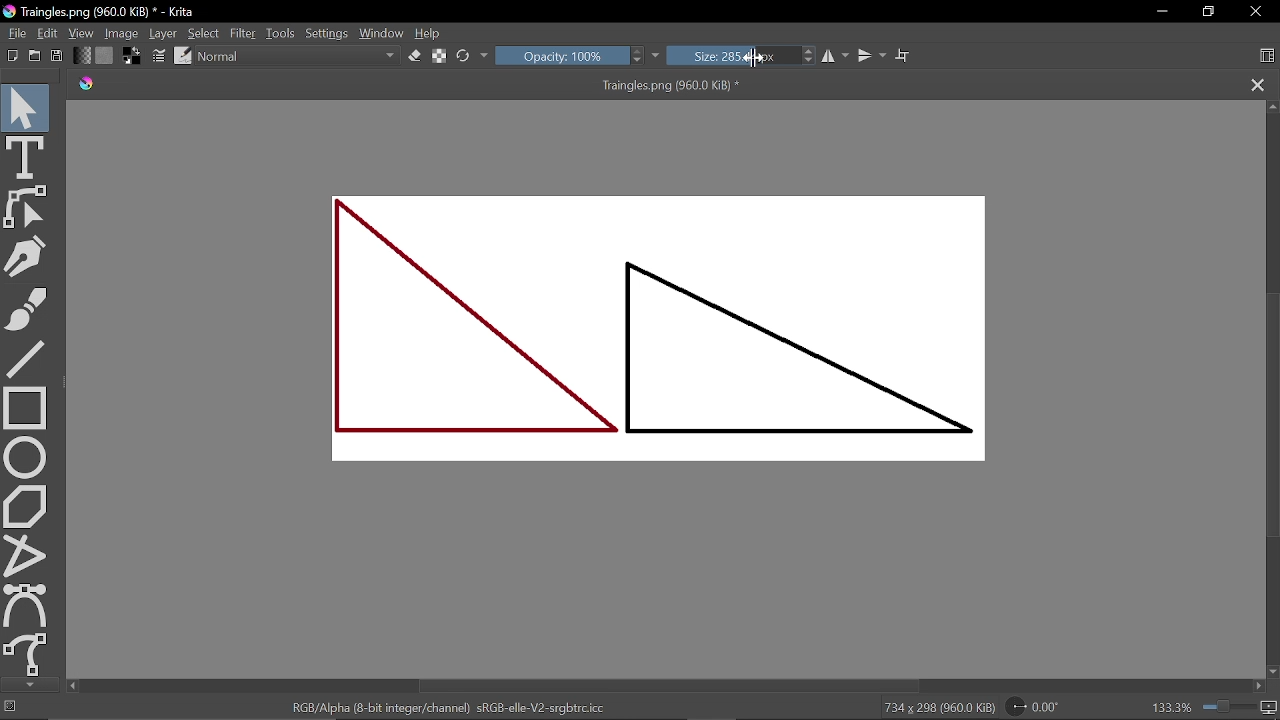 This screenshot has height=720, width=1280. Describe the element at coordinates (82, 56) in the screenshot. I see `Fill gradient` at that location.